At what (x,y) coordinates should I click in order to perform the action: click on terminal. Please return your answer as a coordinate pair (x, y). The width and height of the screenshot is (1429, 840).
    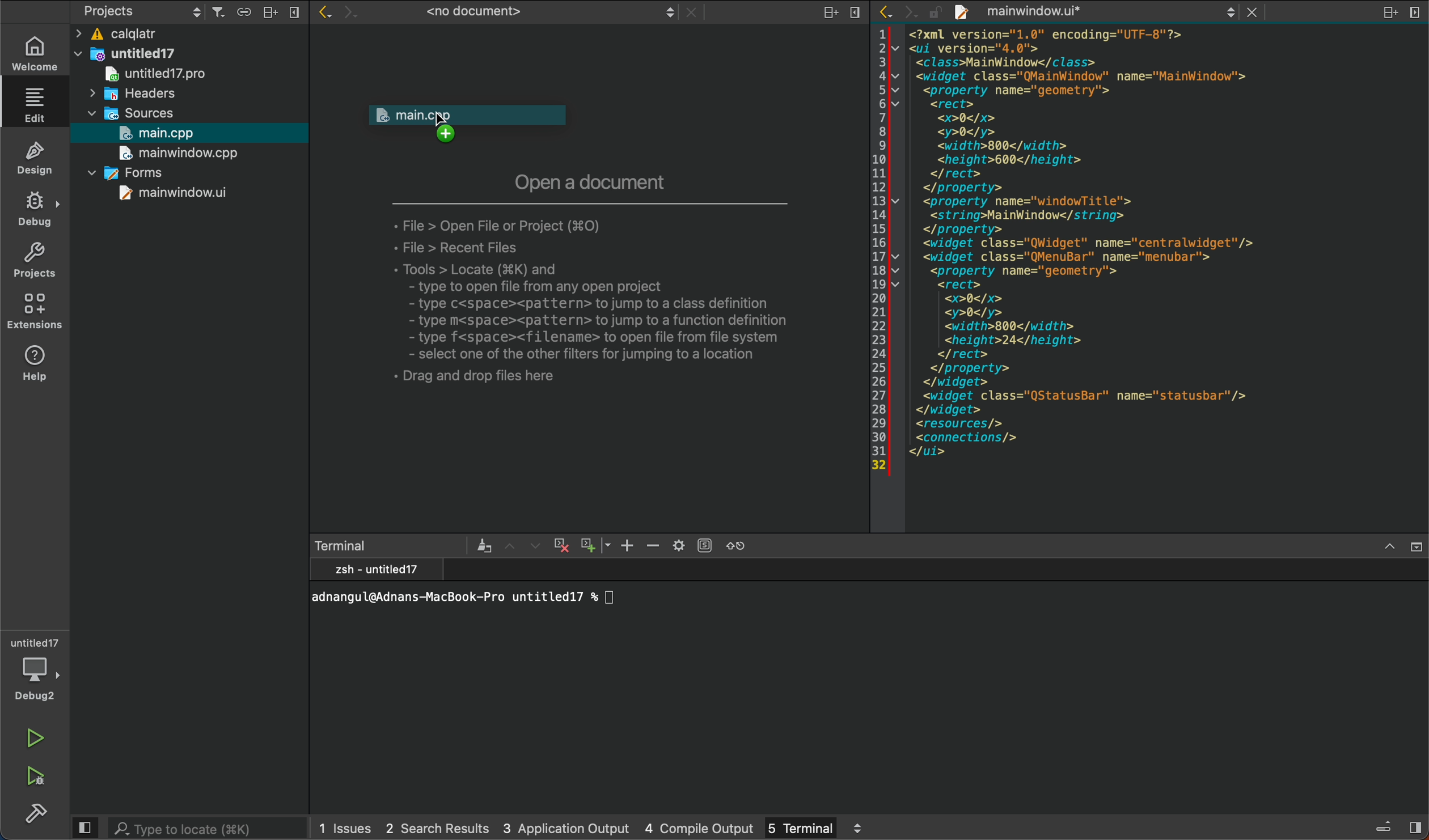
    Looking at the image, I should click on (813, 826).